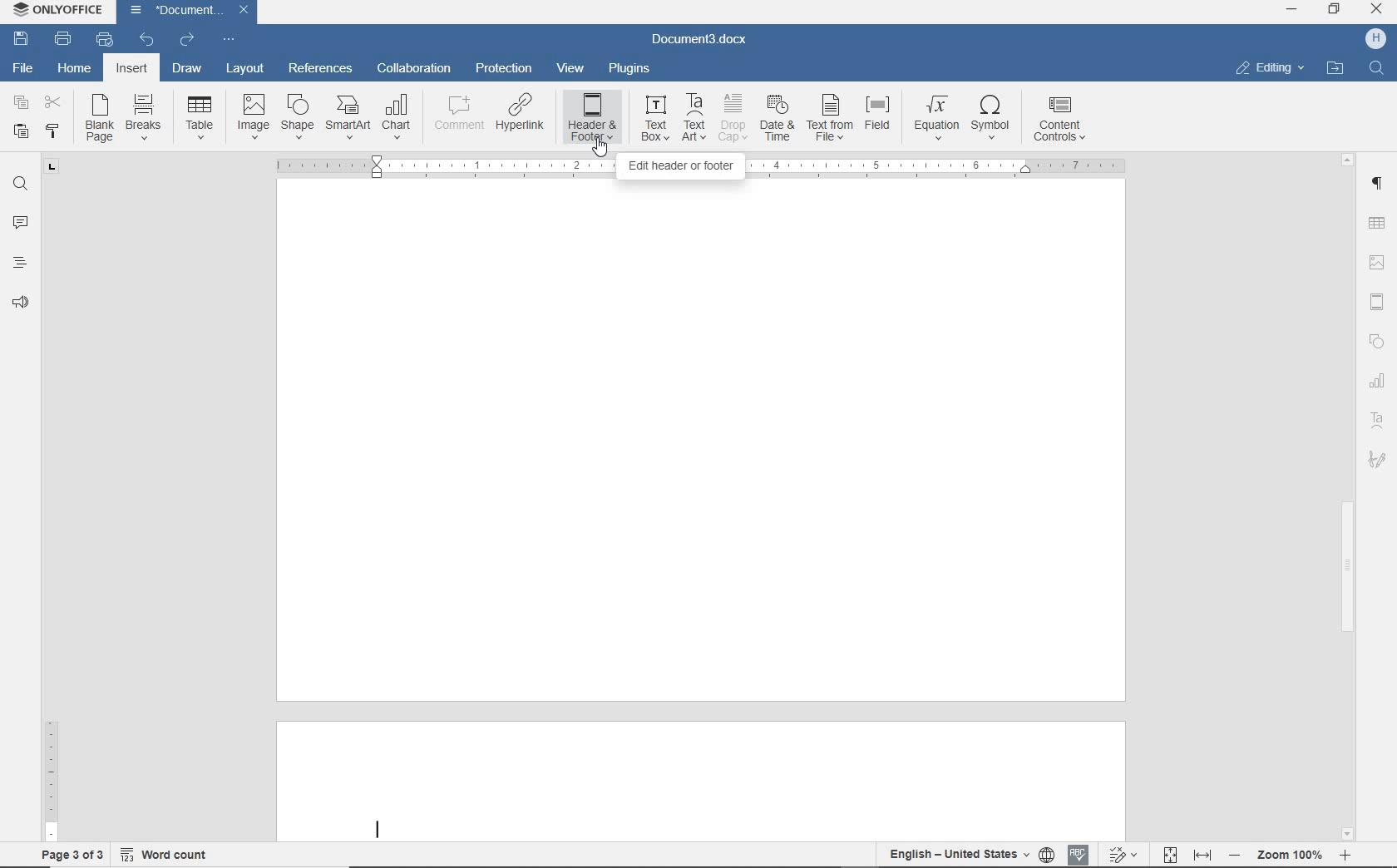  What do you see at coordinates (147, 120) in the screenshot?
I see `BREAKS` at bounding box center [147, 120].